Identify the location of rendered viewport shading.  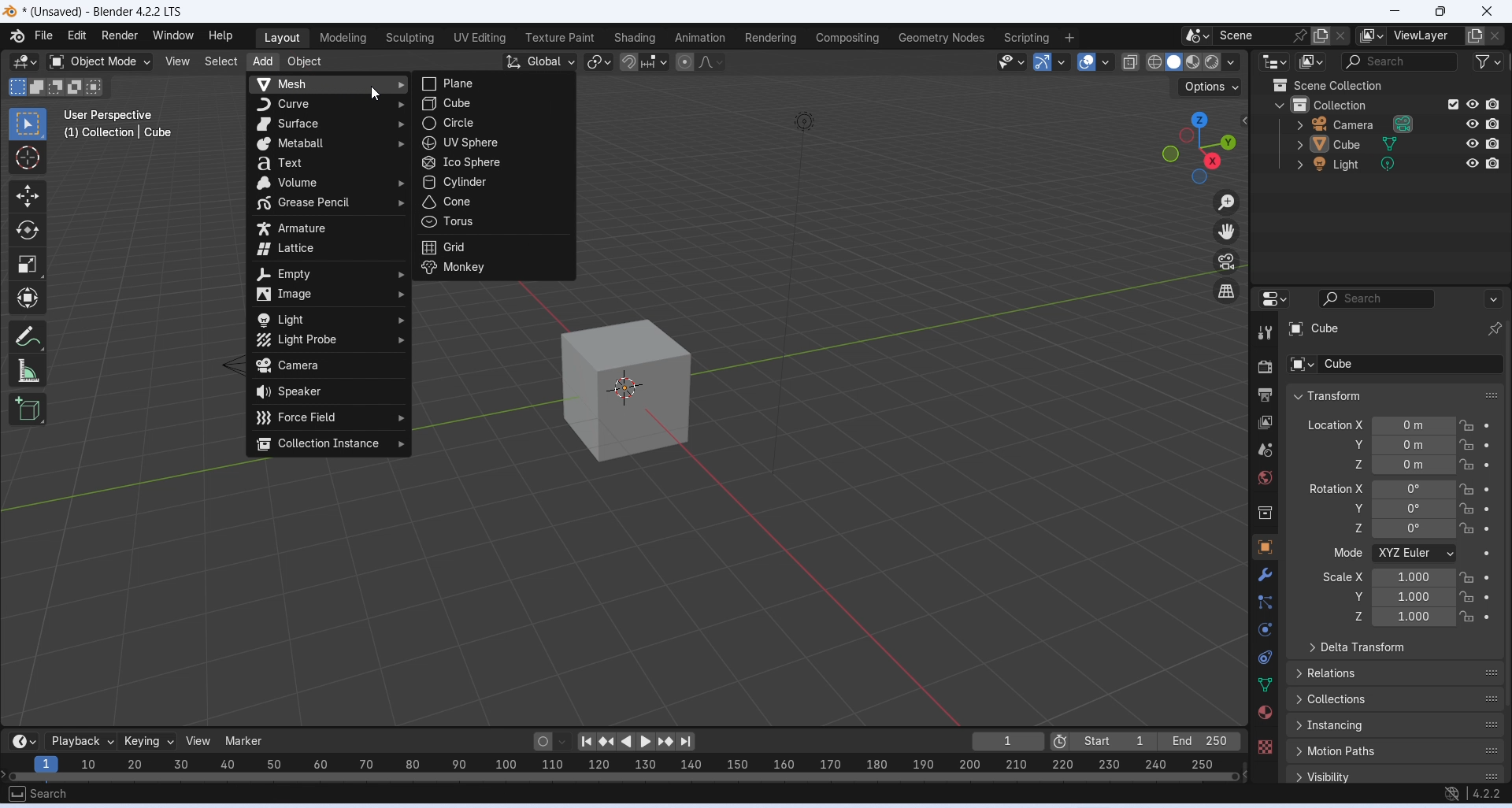
(1211, 62).